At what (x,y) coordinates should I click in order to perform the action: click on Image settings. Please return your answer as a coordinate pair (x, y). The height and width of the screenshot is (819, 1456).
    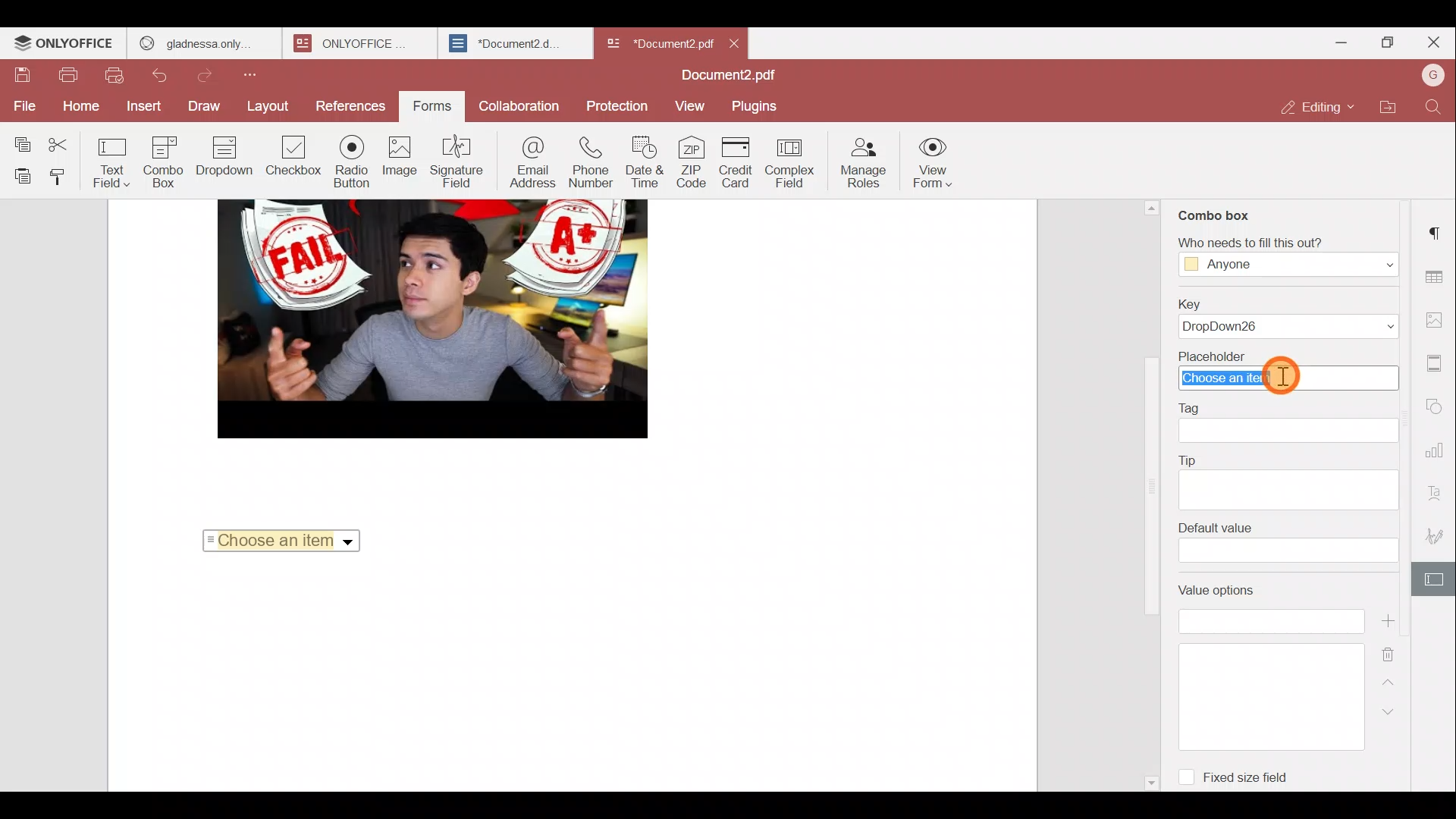
    Looking at the image, I should click on (1437, 321).